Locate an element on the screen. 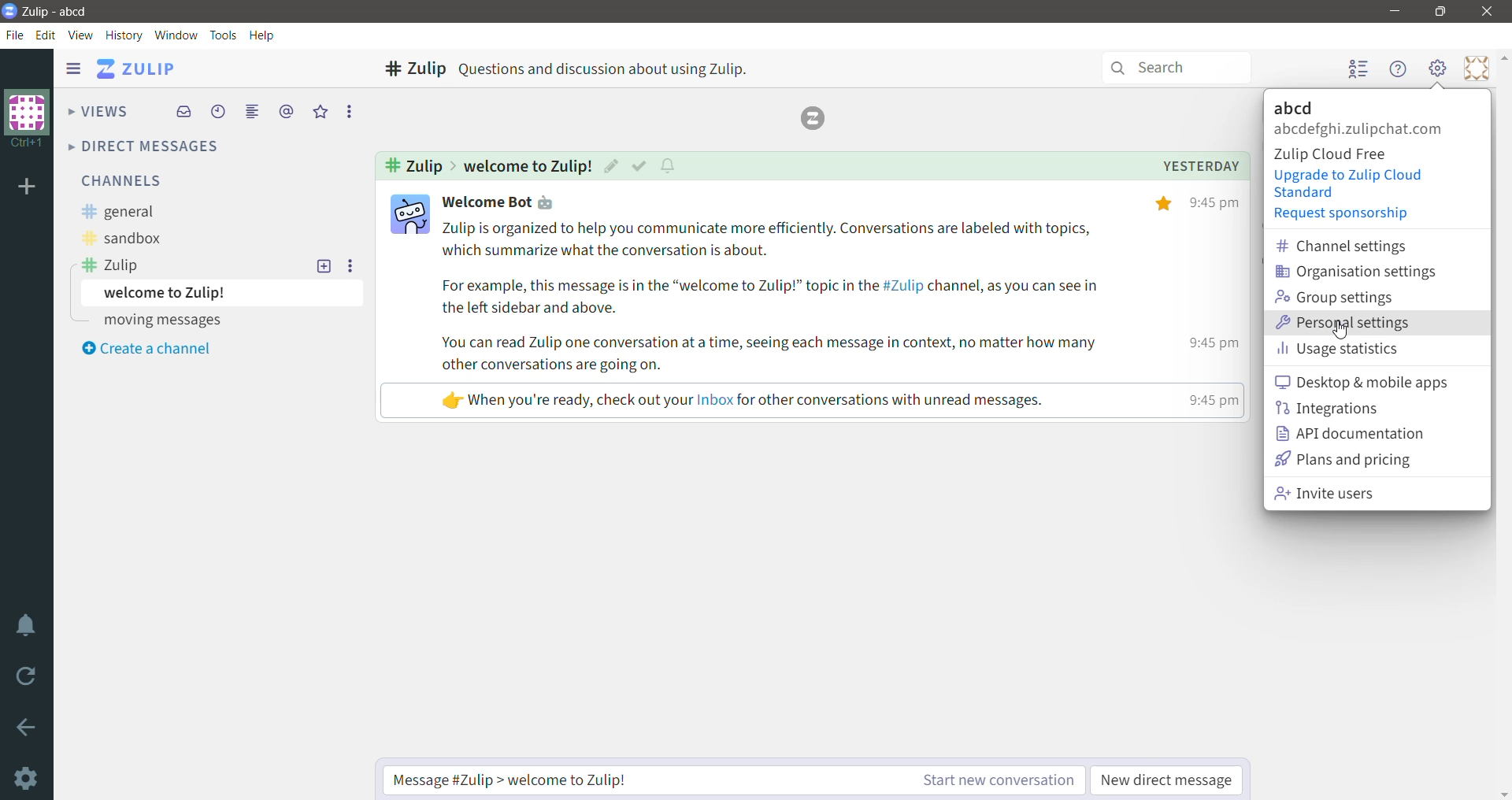  sandbox is located at coordinates (121, 236).